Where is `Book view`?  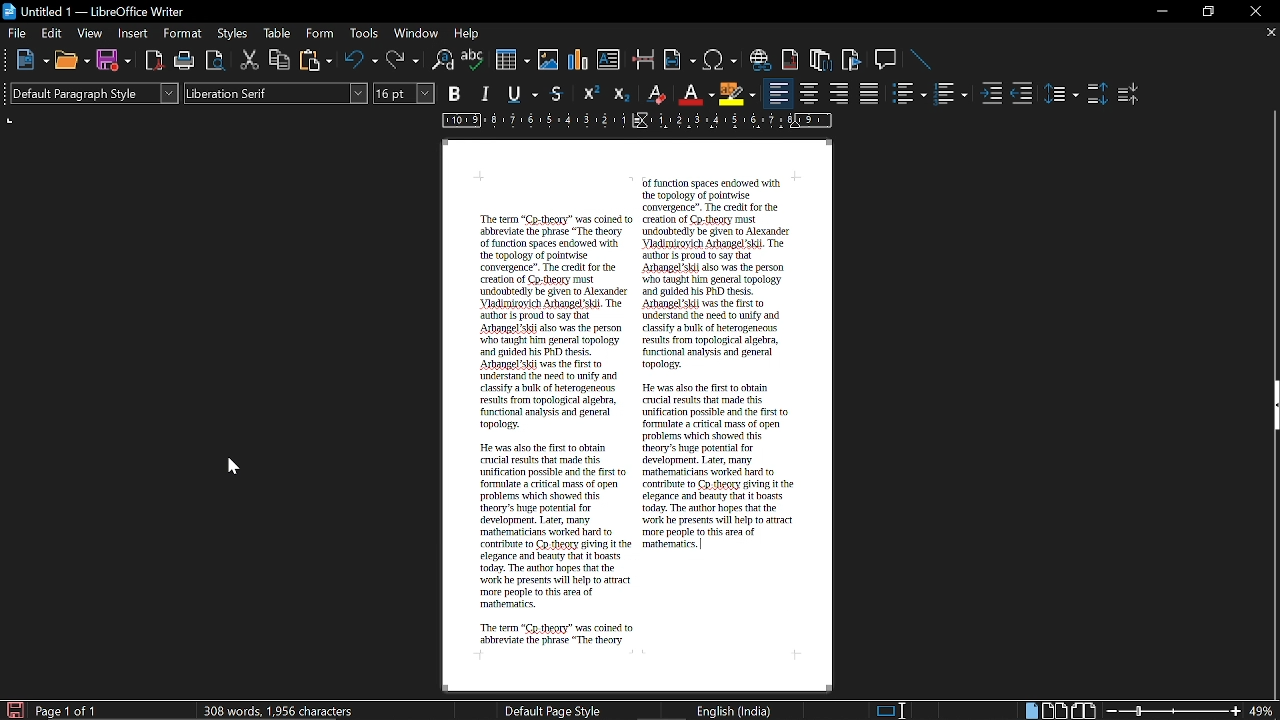 Book view is located at coordinates (1084, 710).